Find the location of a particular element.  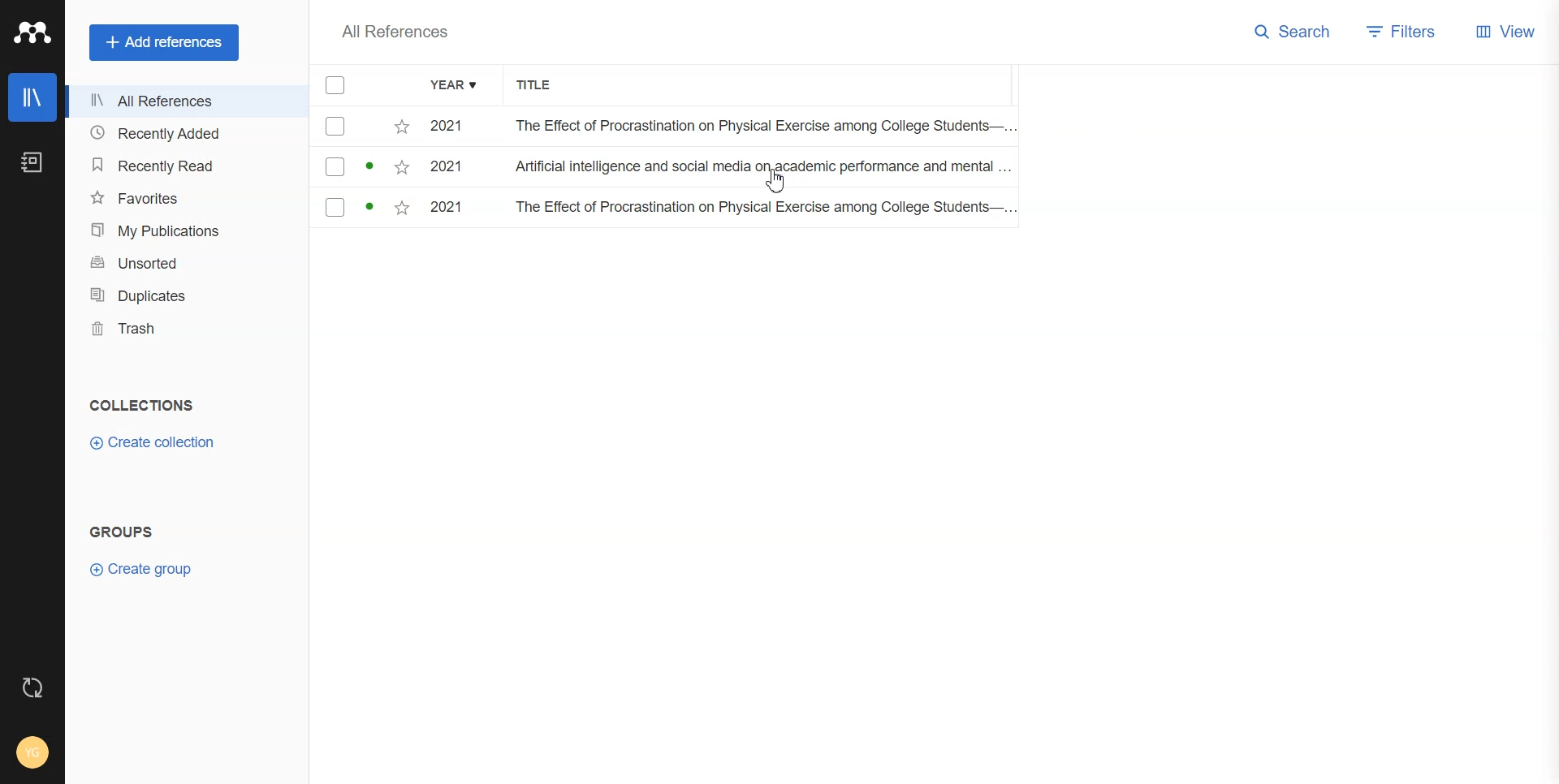

Title is located at coordinates (543, 86).